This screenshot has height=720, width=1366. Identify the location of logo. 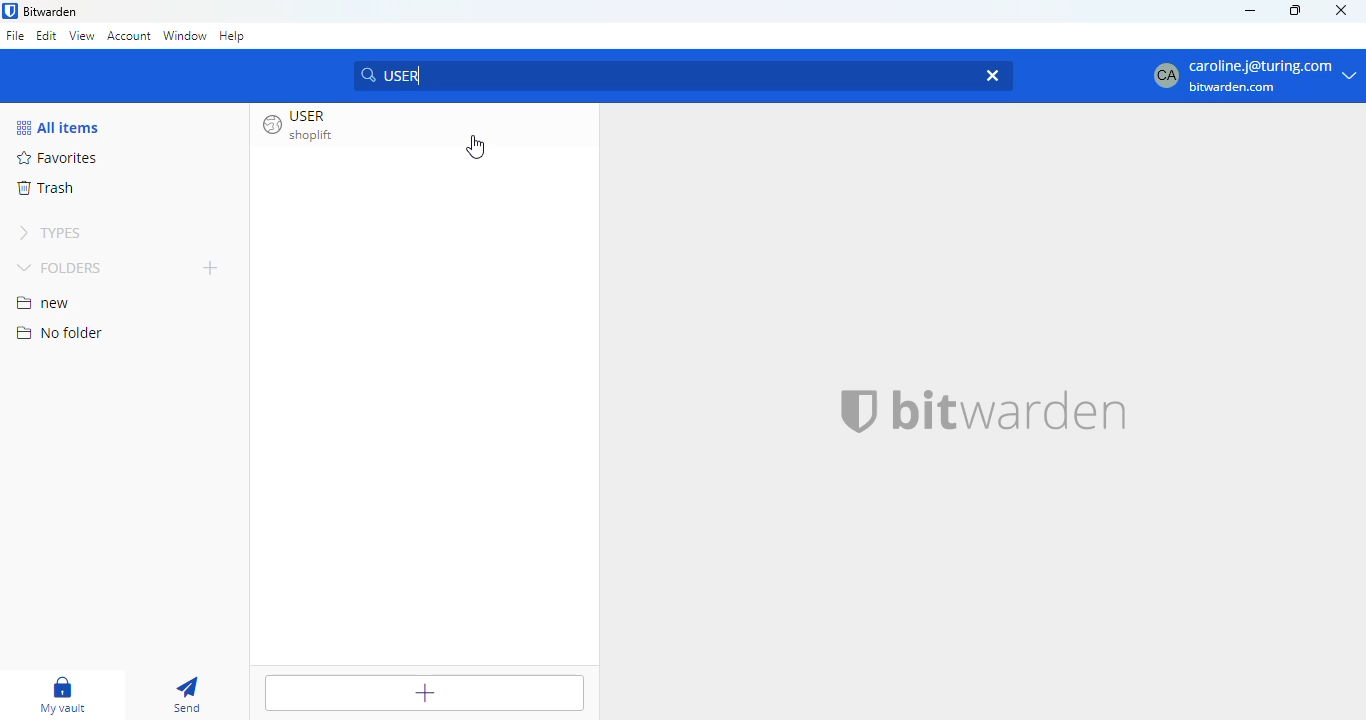
(10, 10).